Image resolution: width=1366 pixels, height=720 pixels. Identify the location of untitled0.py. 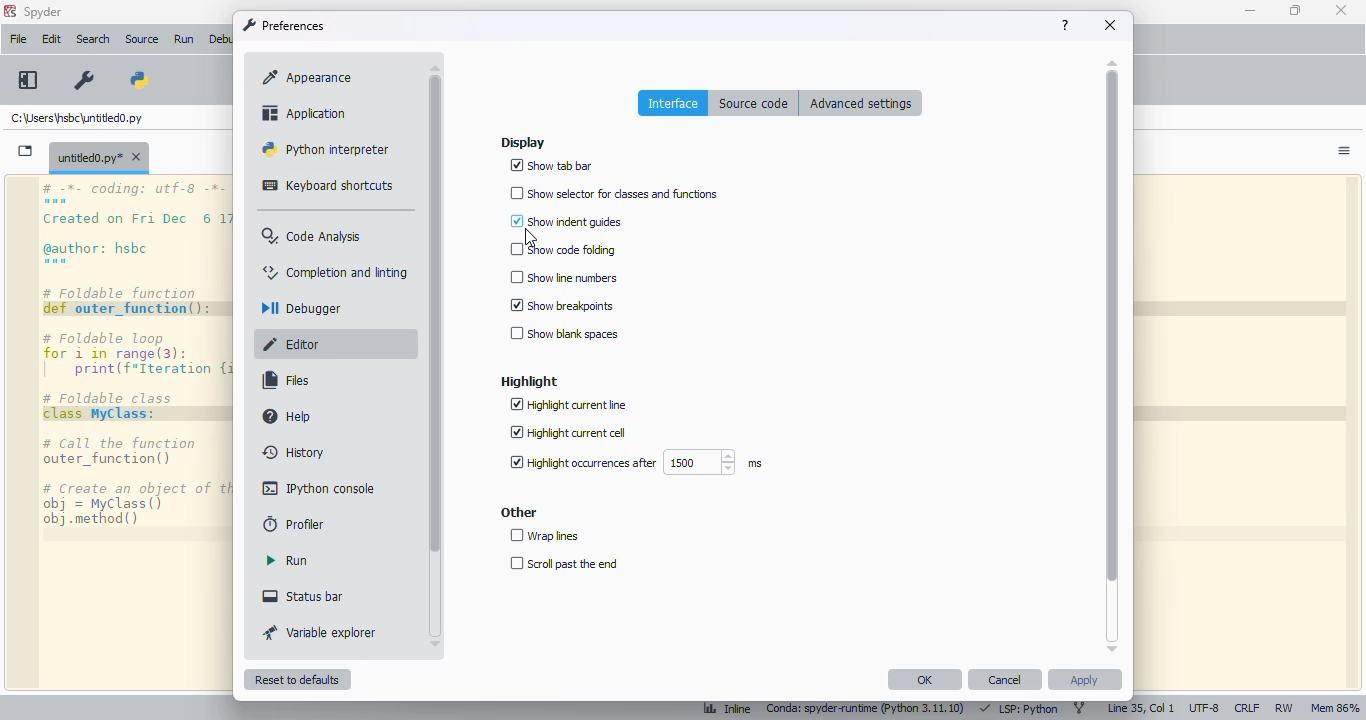
(99, 156).